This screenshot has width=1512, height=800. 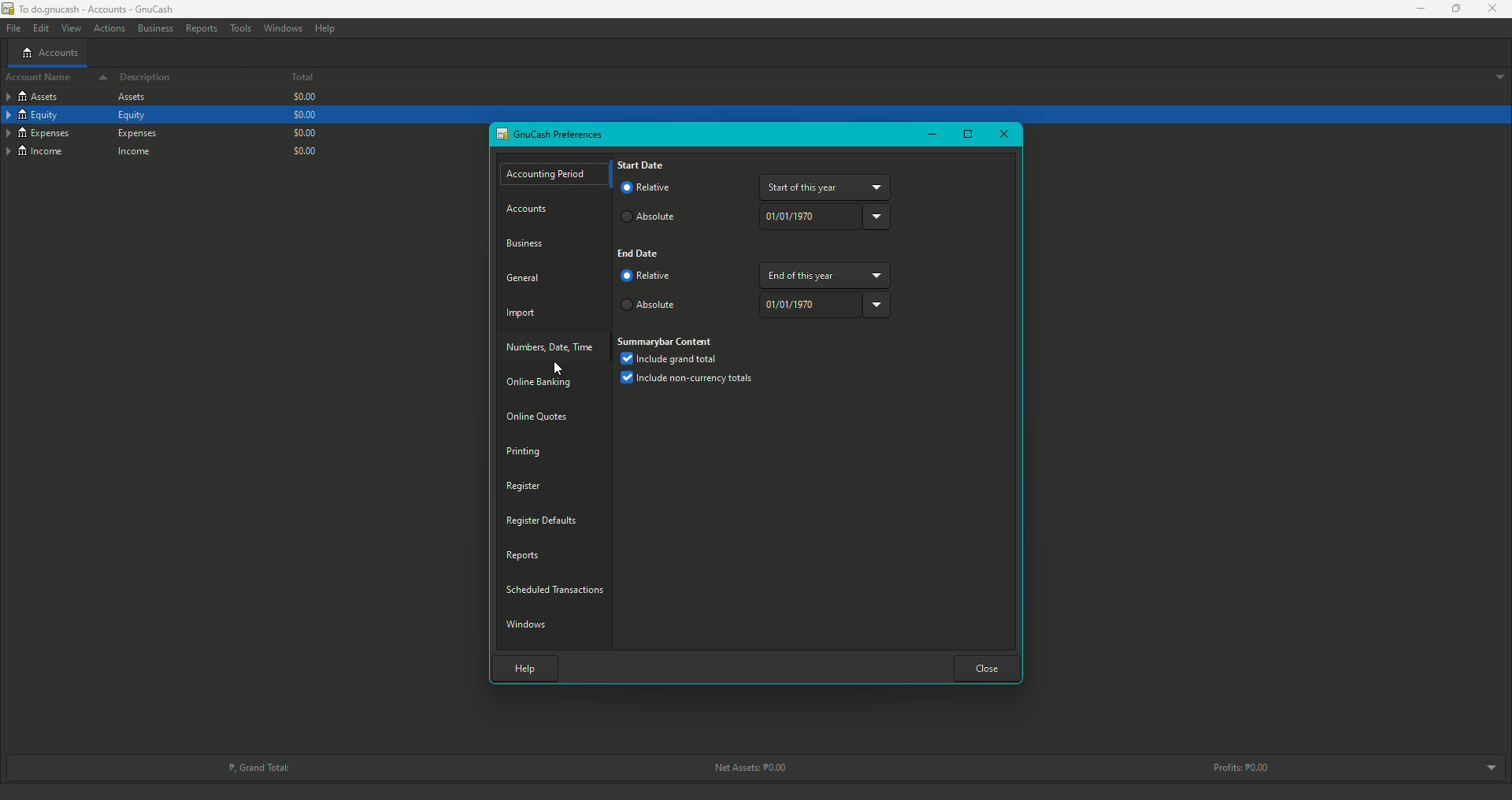 What do you see at coordinates (528, 242) in the screenshot?
I see `Business` at bounding box center [528, 242].